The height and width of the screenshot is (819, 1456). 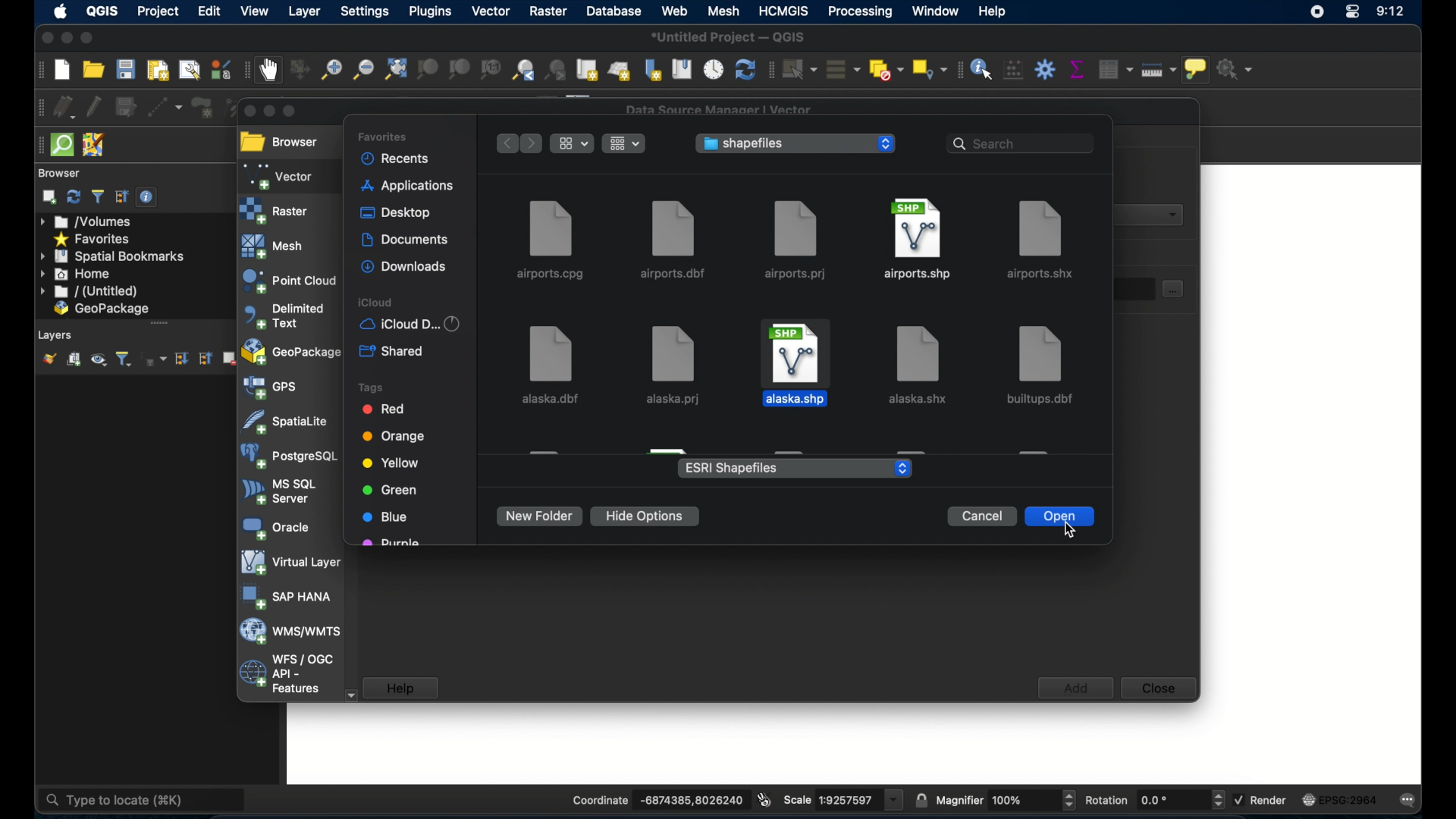 I want to click on vector selected, so click(x=280, y=175).